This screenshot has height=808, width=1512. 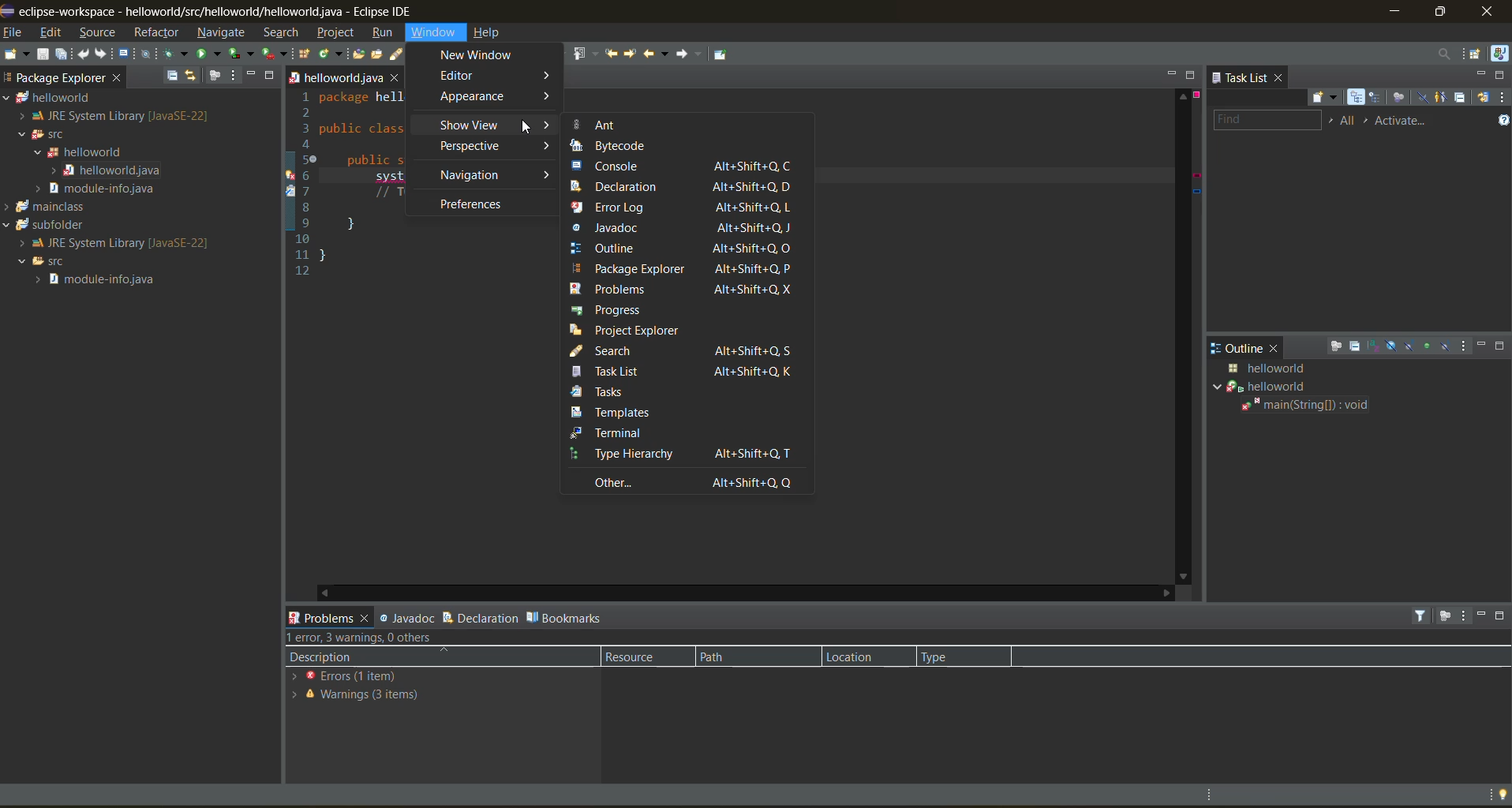 I want to click on task list, so click(x=1243, y=77).